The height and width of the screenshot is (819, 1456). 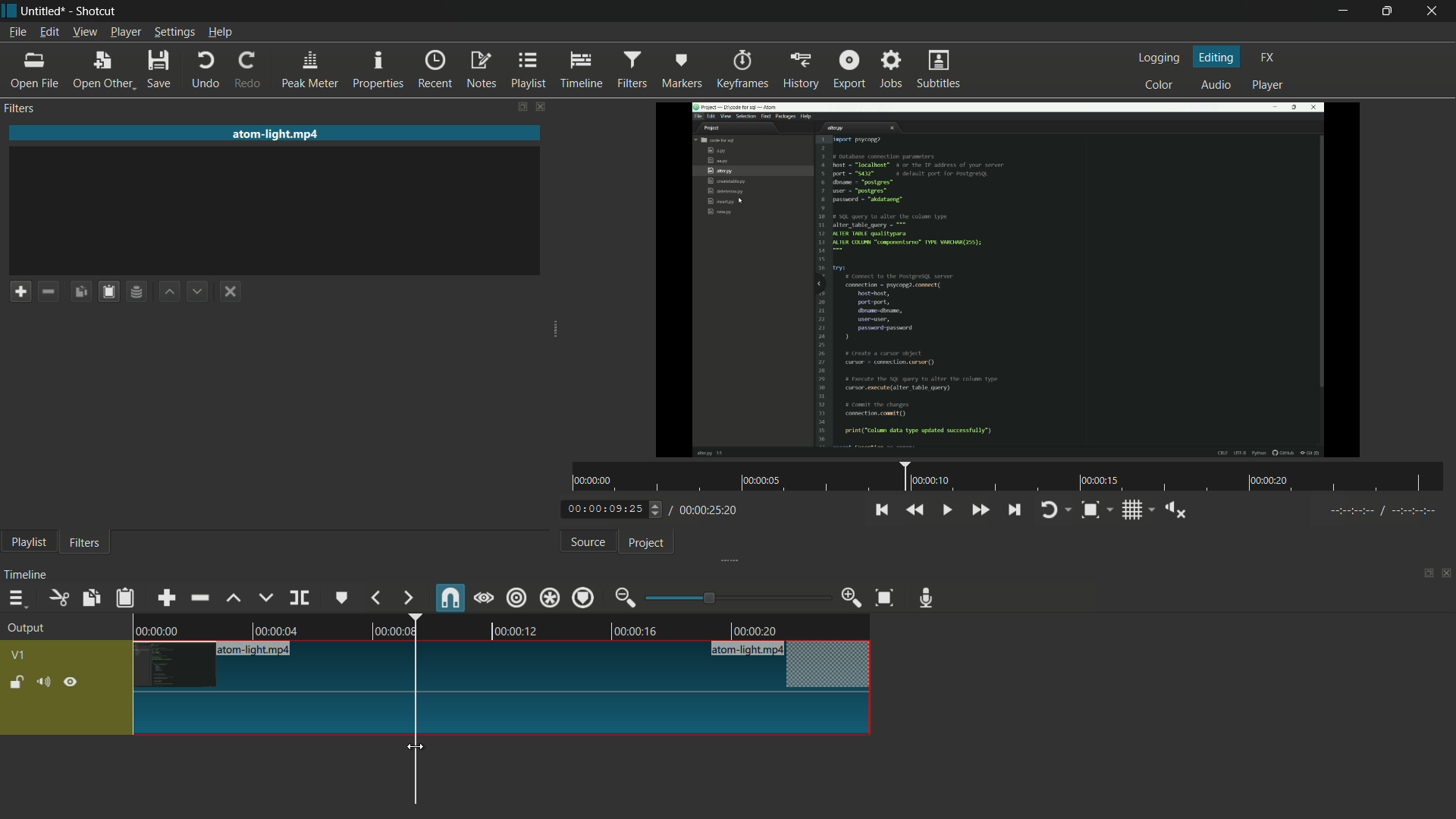 What do you see at coordinates (380, 71) in the screenshot?
I see `properties` at bounding box center [380, 71].